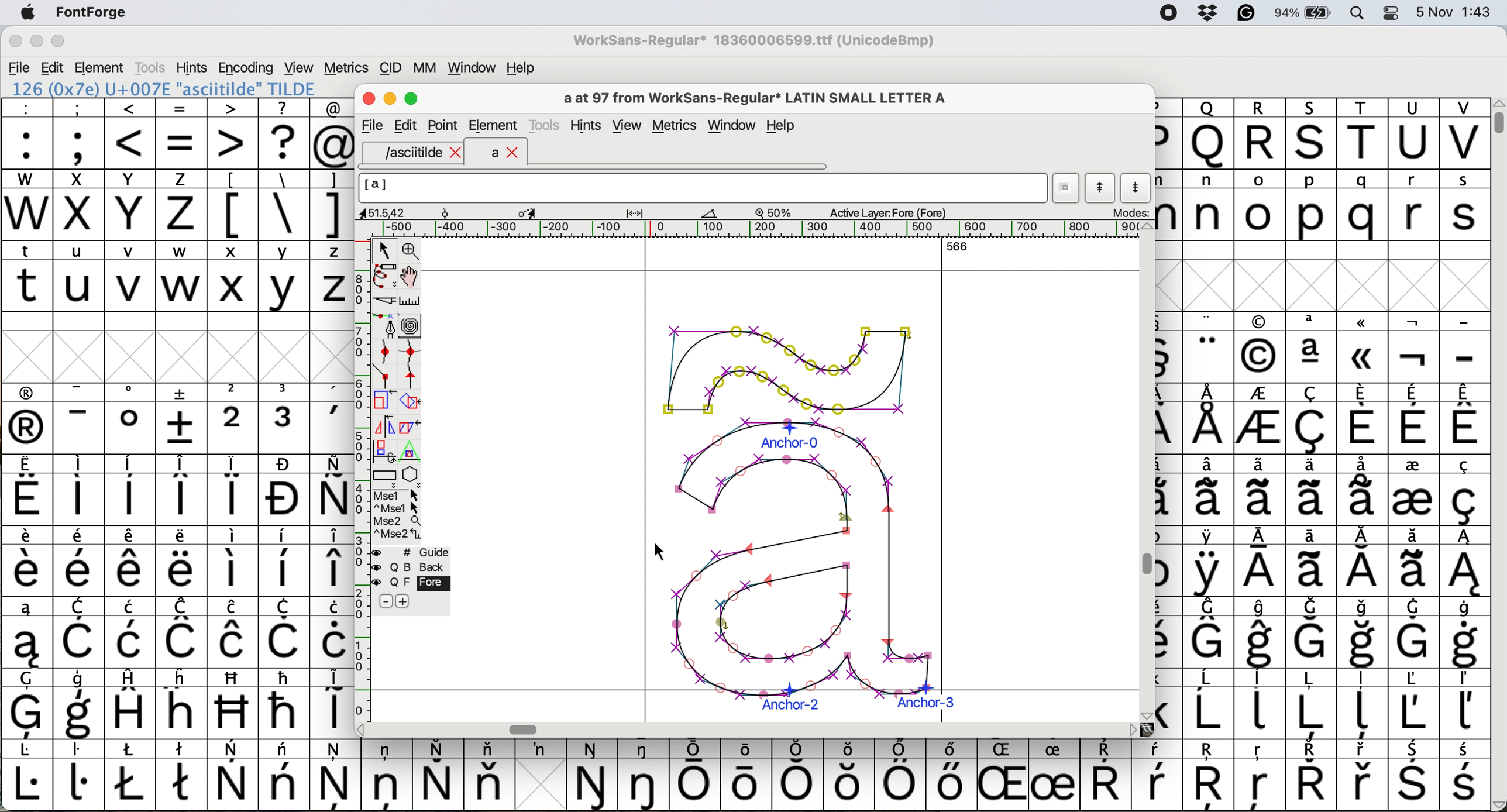 This screenshot has width=1507, height=812. Describe the element at coordinates (386, 302) in the screenshot. I see `cut splines in two` at that location.